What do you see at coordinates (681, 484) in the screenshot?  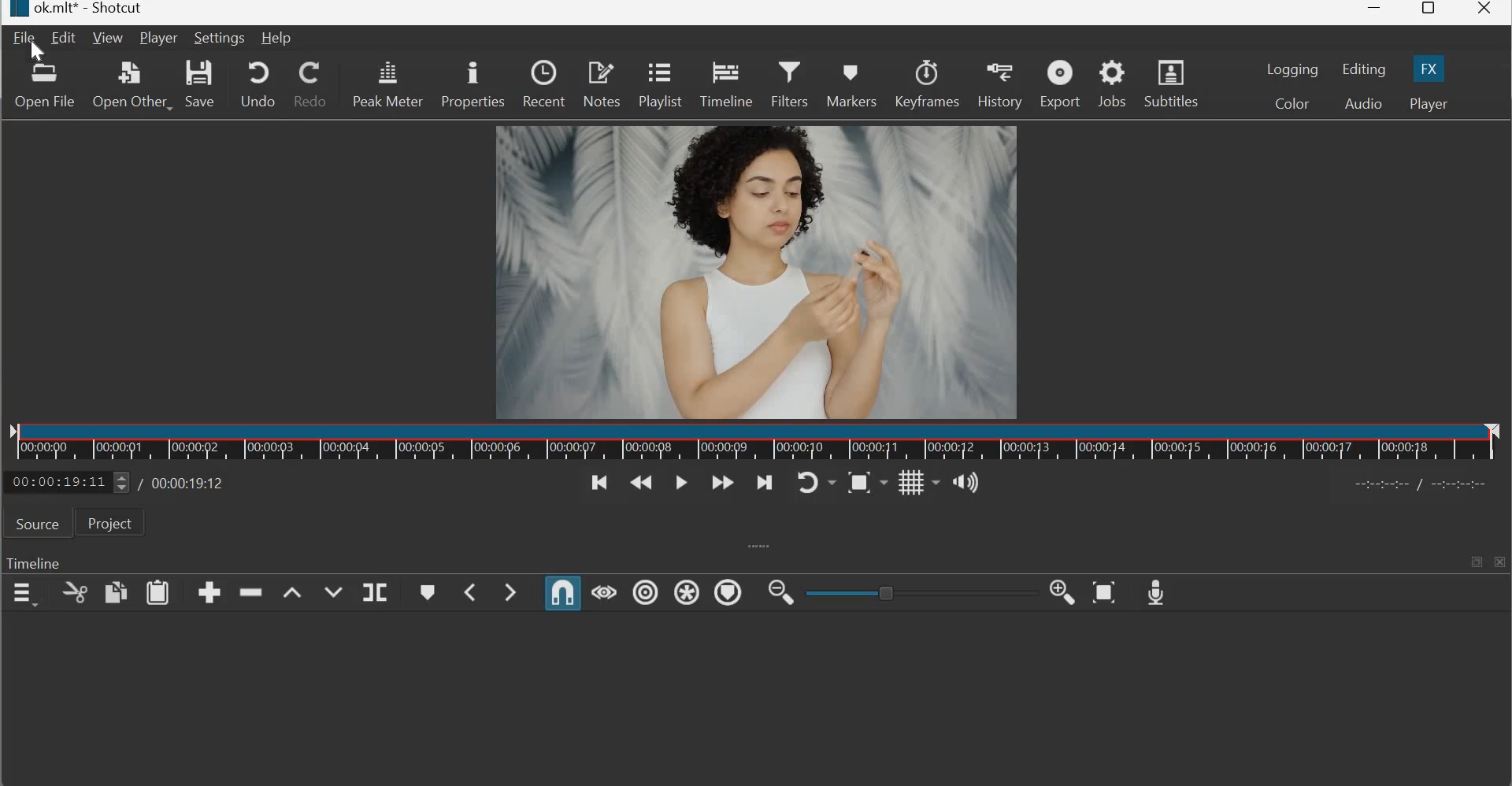 I see `Toggle play or pause` at bounding box center [681, 484].